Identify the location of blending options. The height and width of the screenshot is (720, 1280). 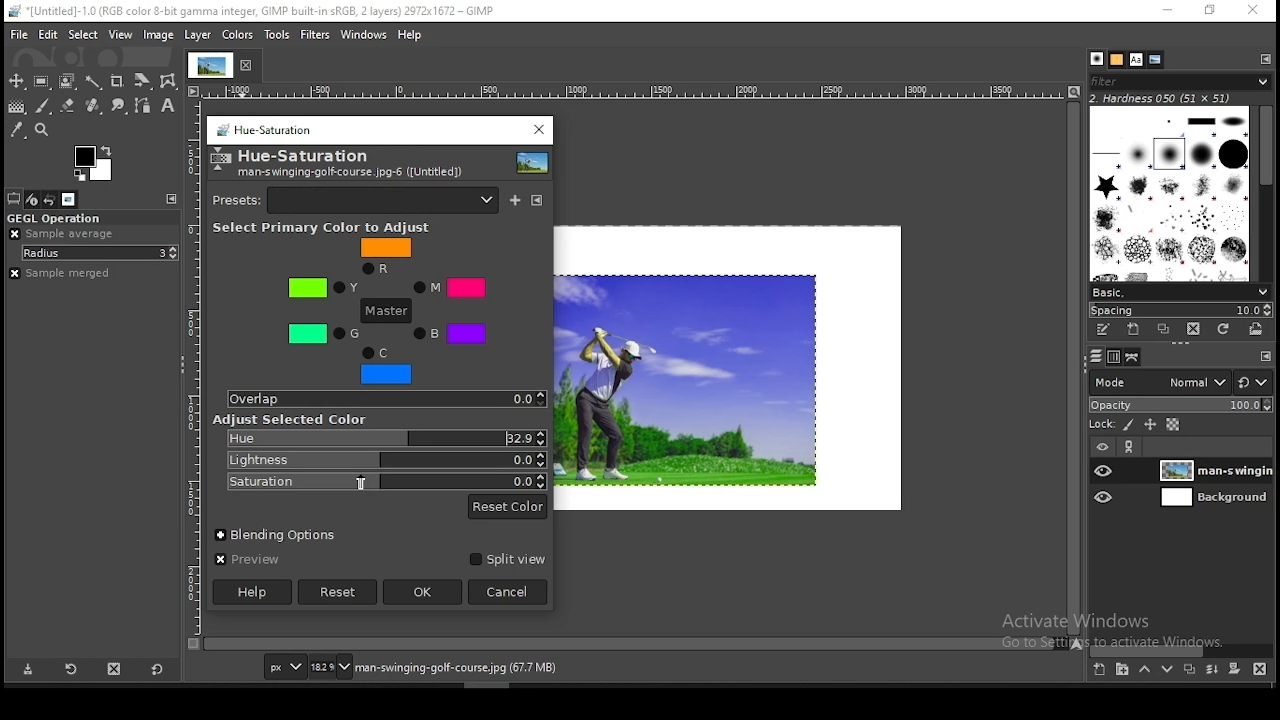
(280, 536).